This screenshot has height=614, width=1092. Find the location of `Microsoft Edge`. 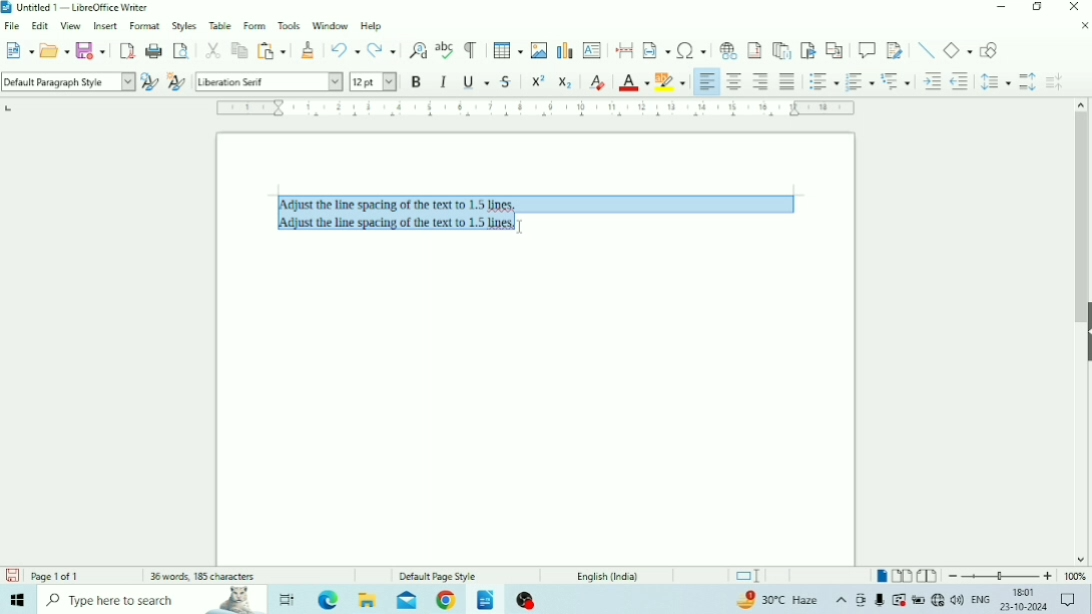

Microsoft Edge is located at coordinates (328, 600).